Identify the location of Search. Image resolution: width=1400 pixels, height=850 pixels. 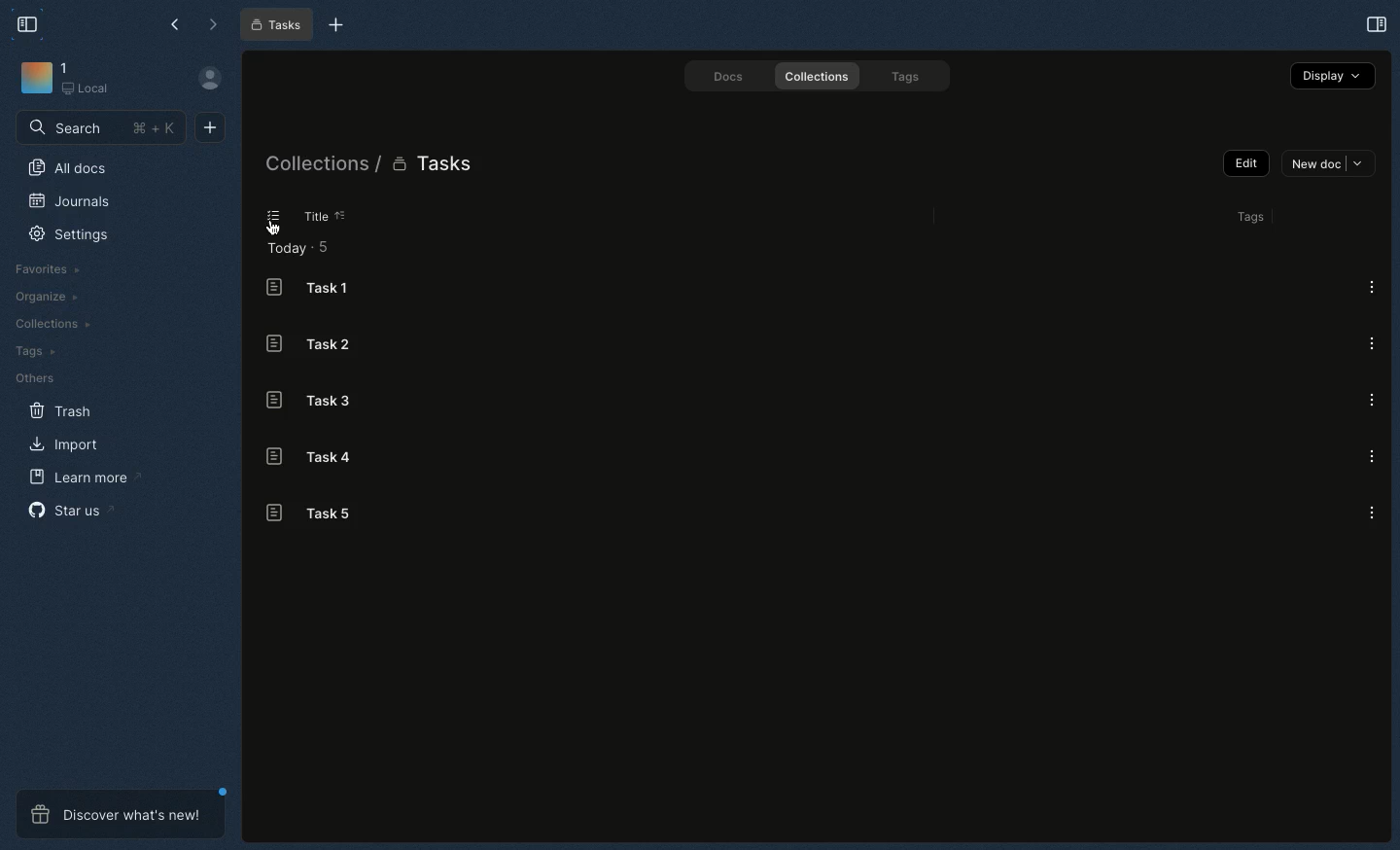
(101, 126).